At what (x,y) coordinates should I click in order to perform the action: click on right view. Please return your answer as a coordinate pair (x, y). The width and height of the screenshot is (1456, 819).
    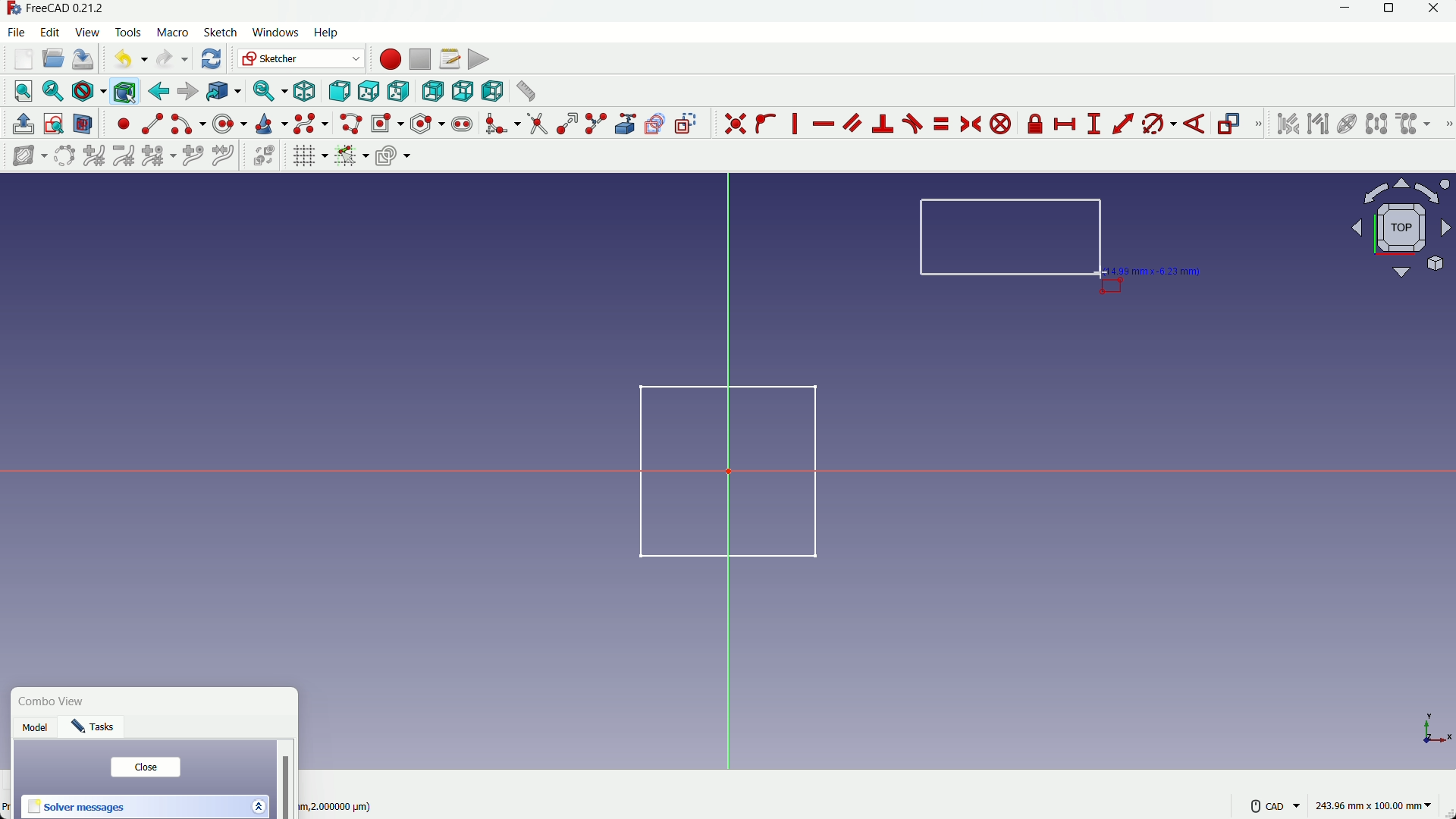
    Looking at the image, I should click on (400, 92).